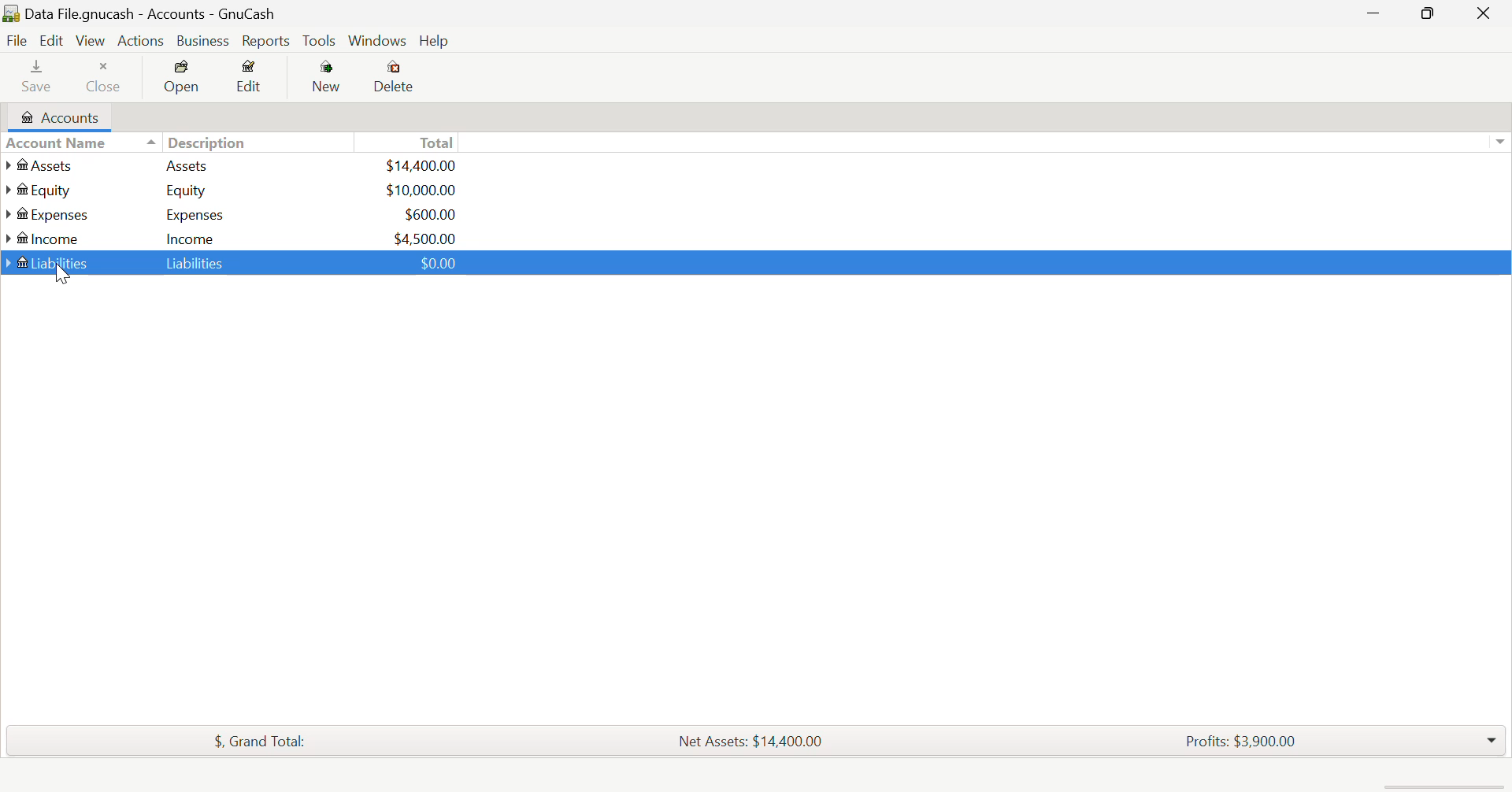  Describe the element at coordinates (195, 214) in the screenshot. I see `Expenses` at that location.